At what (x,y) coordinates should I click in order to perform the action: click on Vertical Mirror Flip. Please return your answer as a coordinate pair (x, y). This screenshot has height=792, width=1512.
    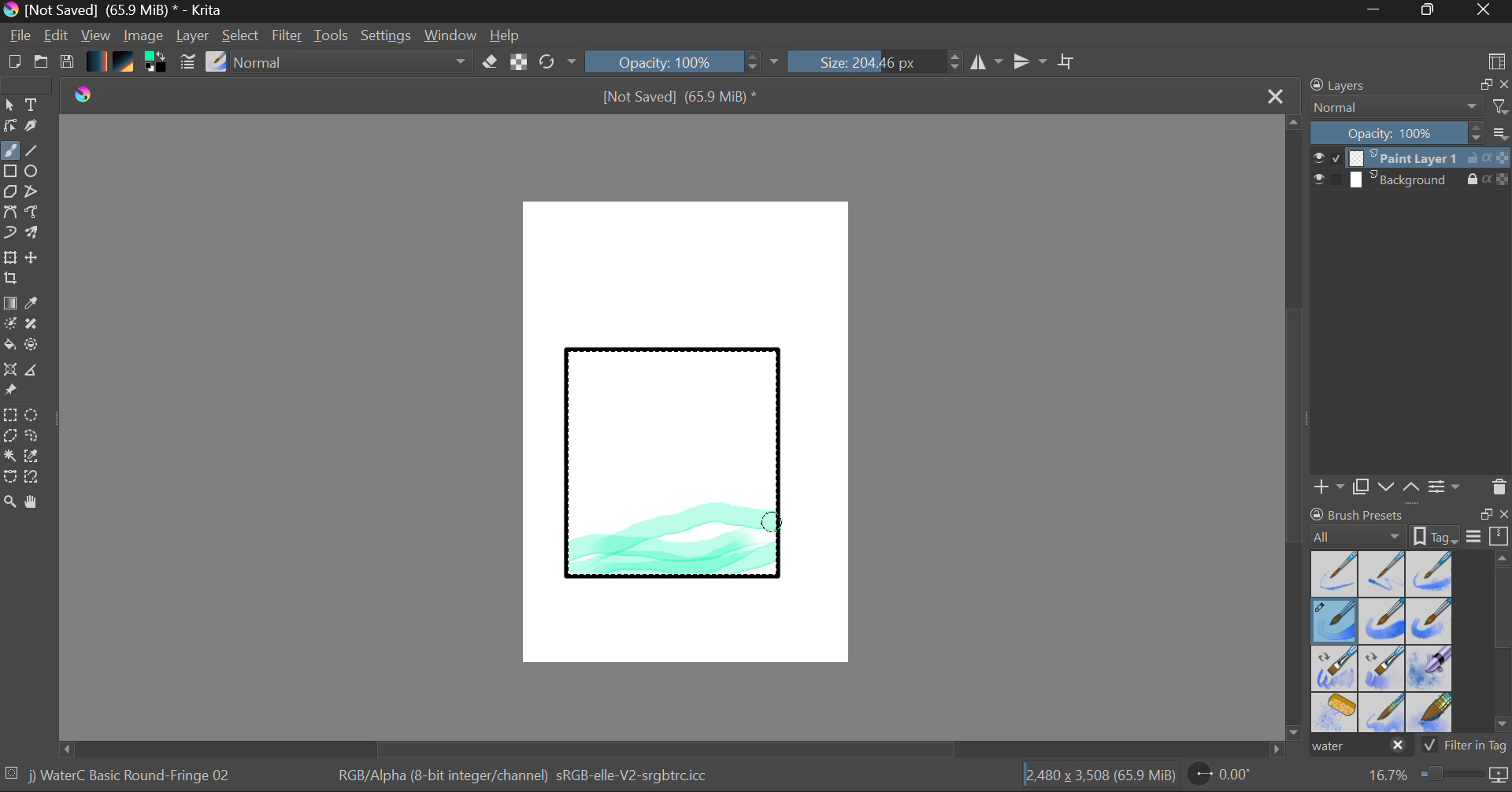
    Looking at the image, I should click on (986, 62).